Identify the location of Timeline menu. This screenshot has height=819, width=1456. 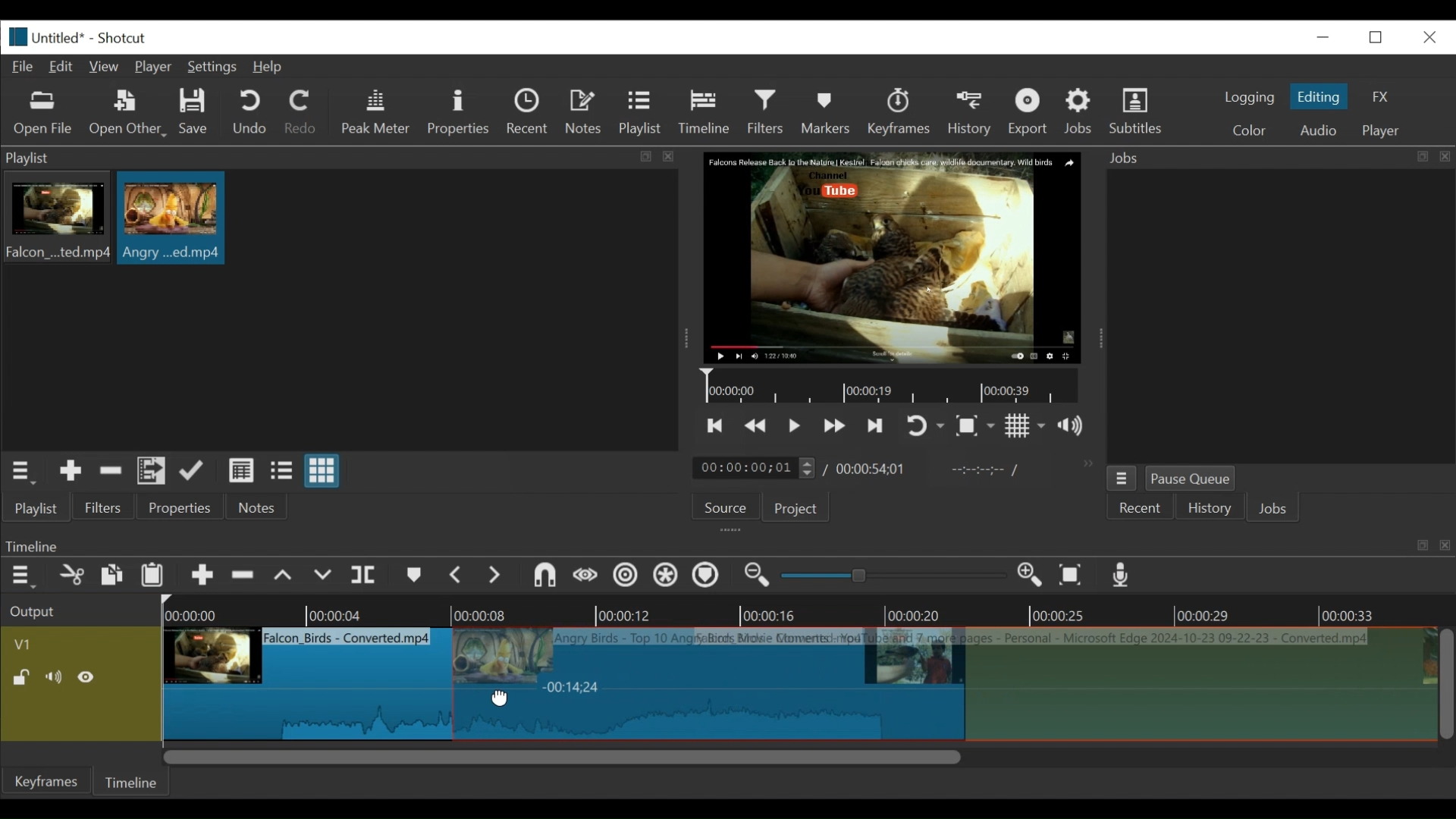
(25, 576).